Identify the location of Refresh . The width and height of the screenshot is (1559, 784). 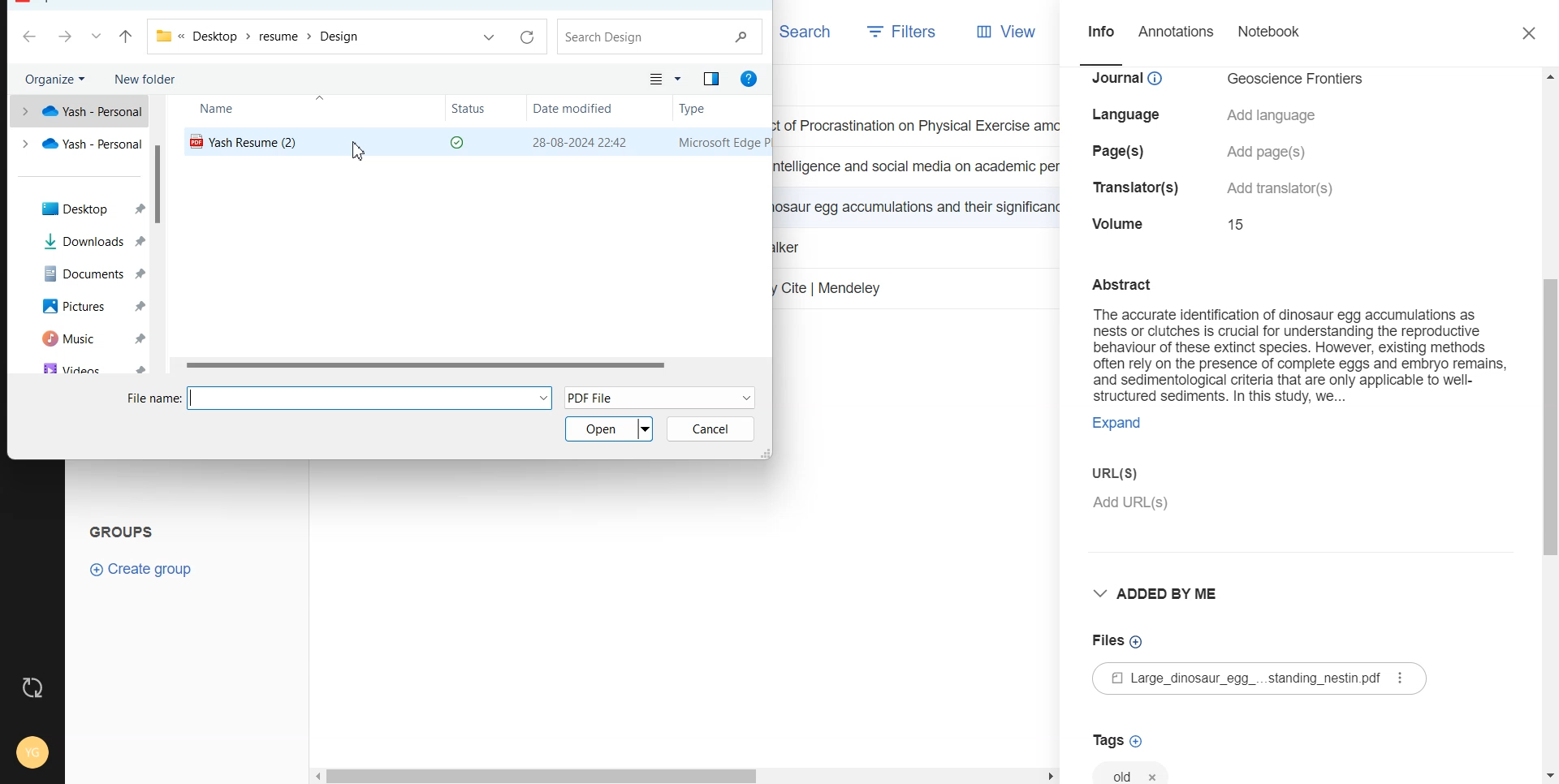
(525, 38).